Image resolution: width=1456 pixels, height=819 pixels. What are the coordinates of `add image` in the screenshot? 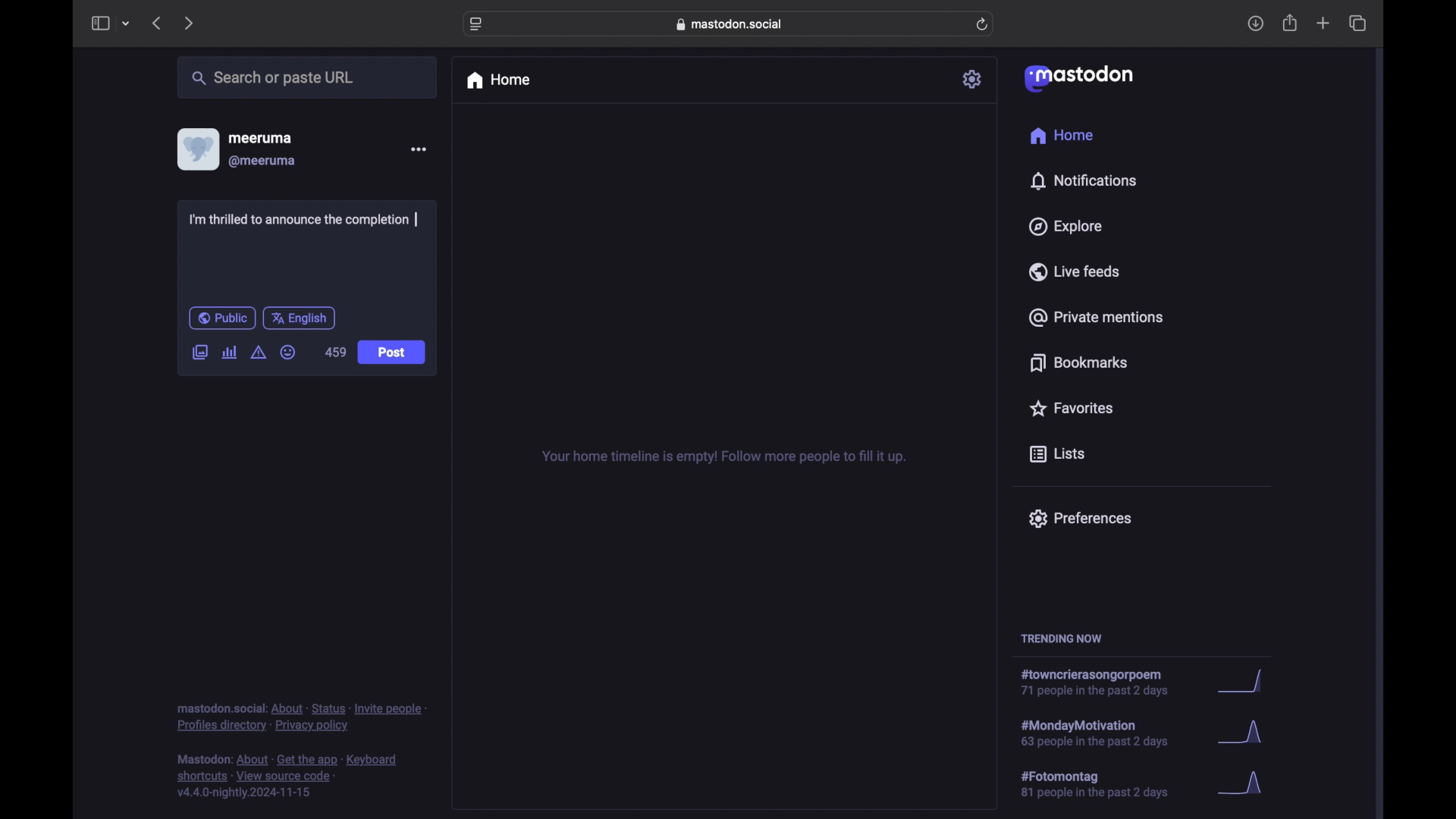 It's located at (199, 353).